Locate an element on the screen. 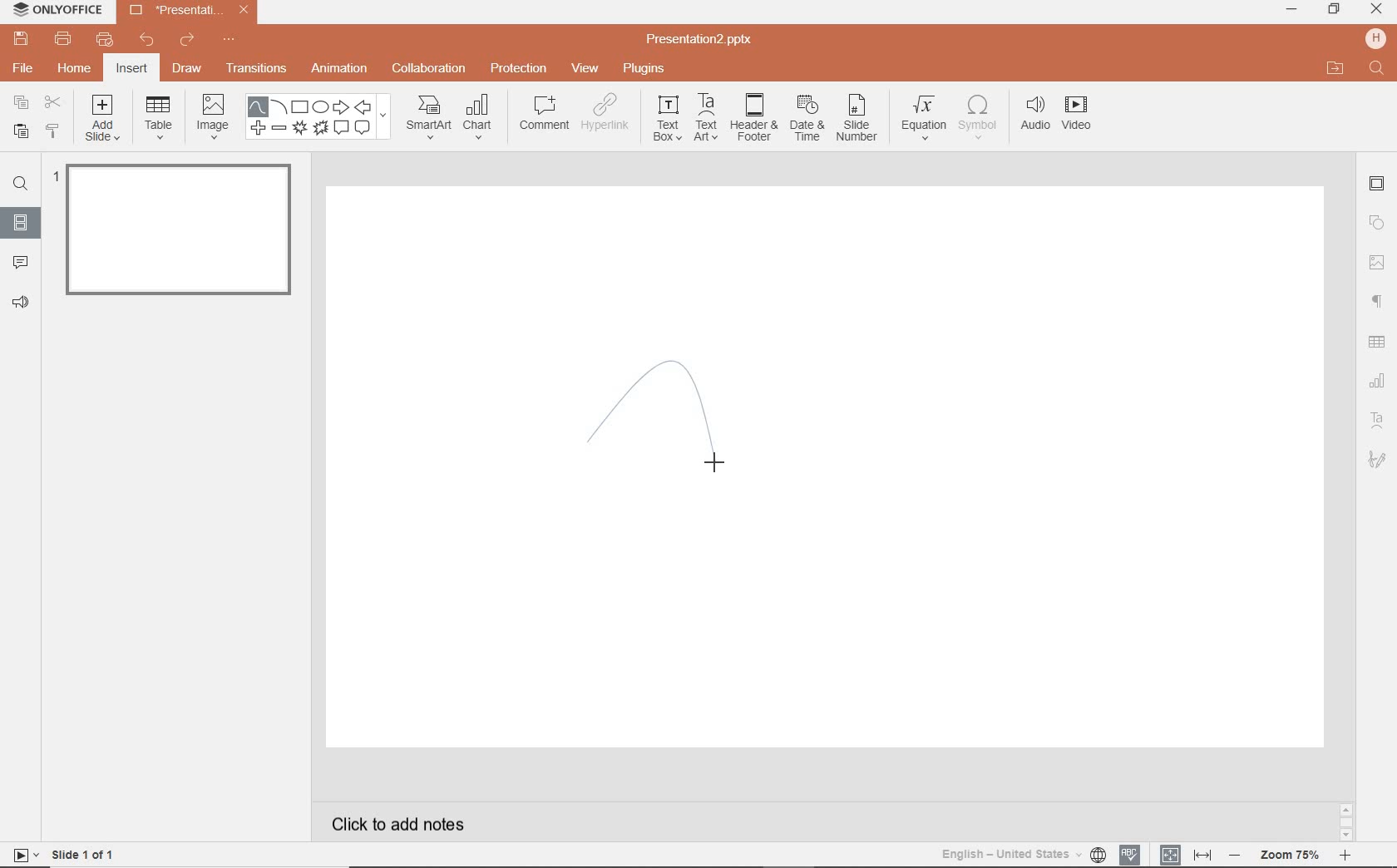 Image resolution: width=1397 pixels, height=868 pixels. SLIDE SETTINGS is located at coordinates (1378, 185).